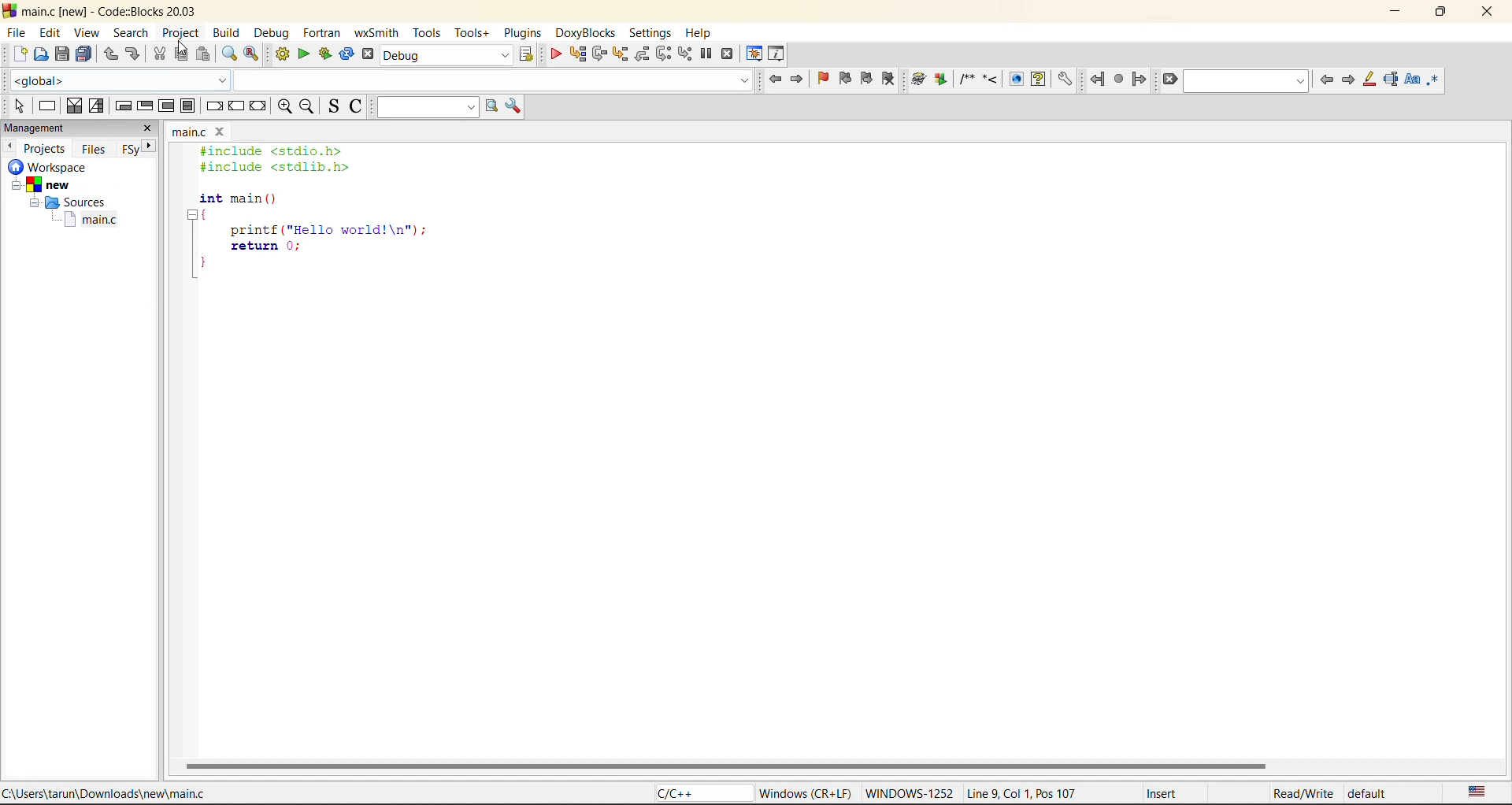  What do you see at coordinates (65, 54) in the screenshot?
I see `save` at bounding box center [65, 54].